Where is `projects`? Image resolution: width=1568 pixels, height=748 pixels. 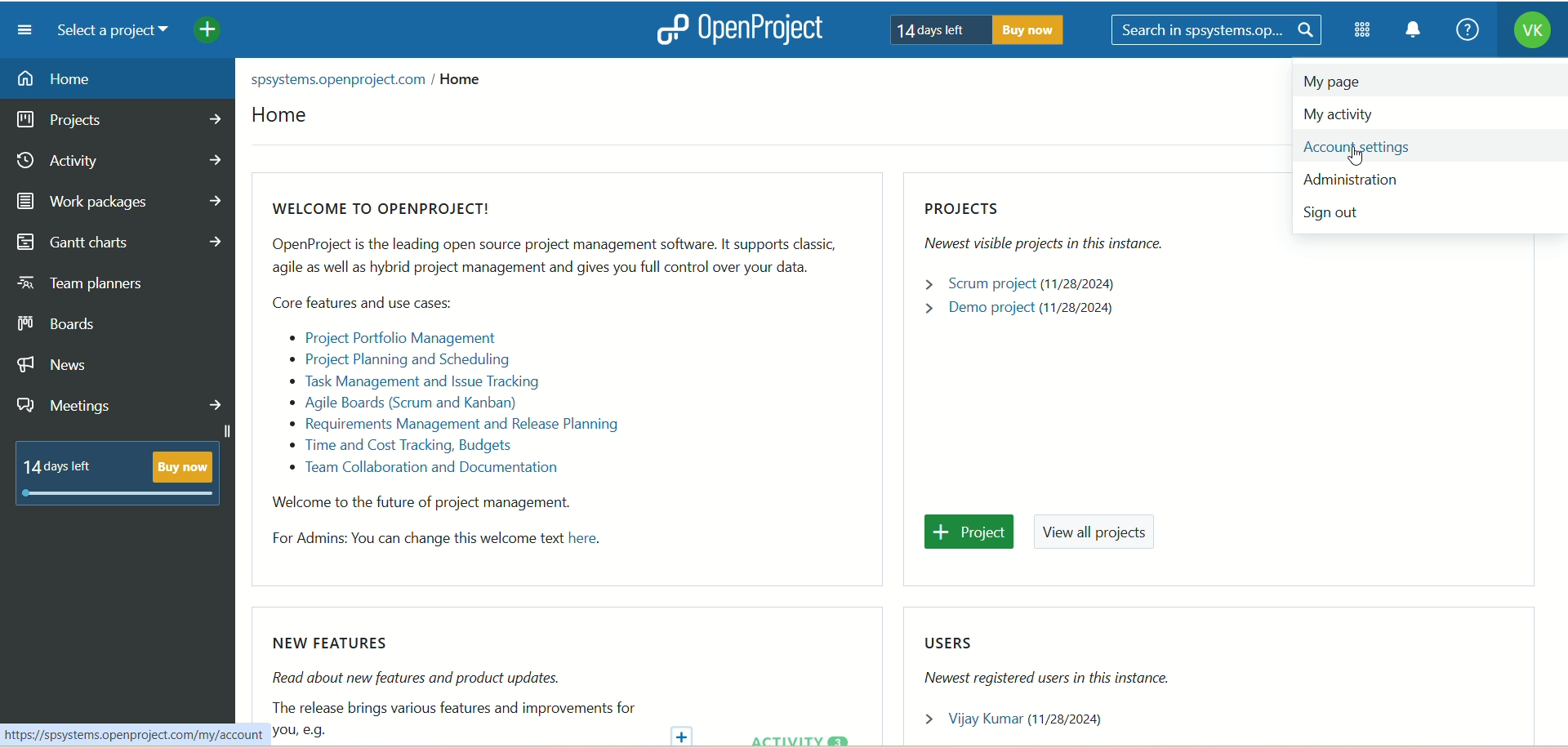 projects is located at coordinates (1054, 229).